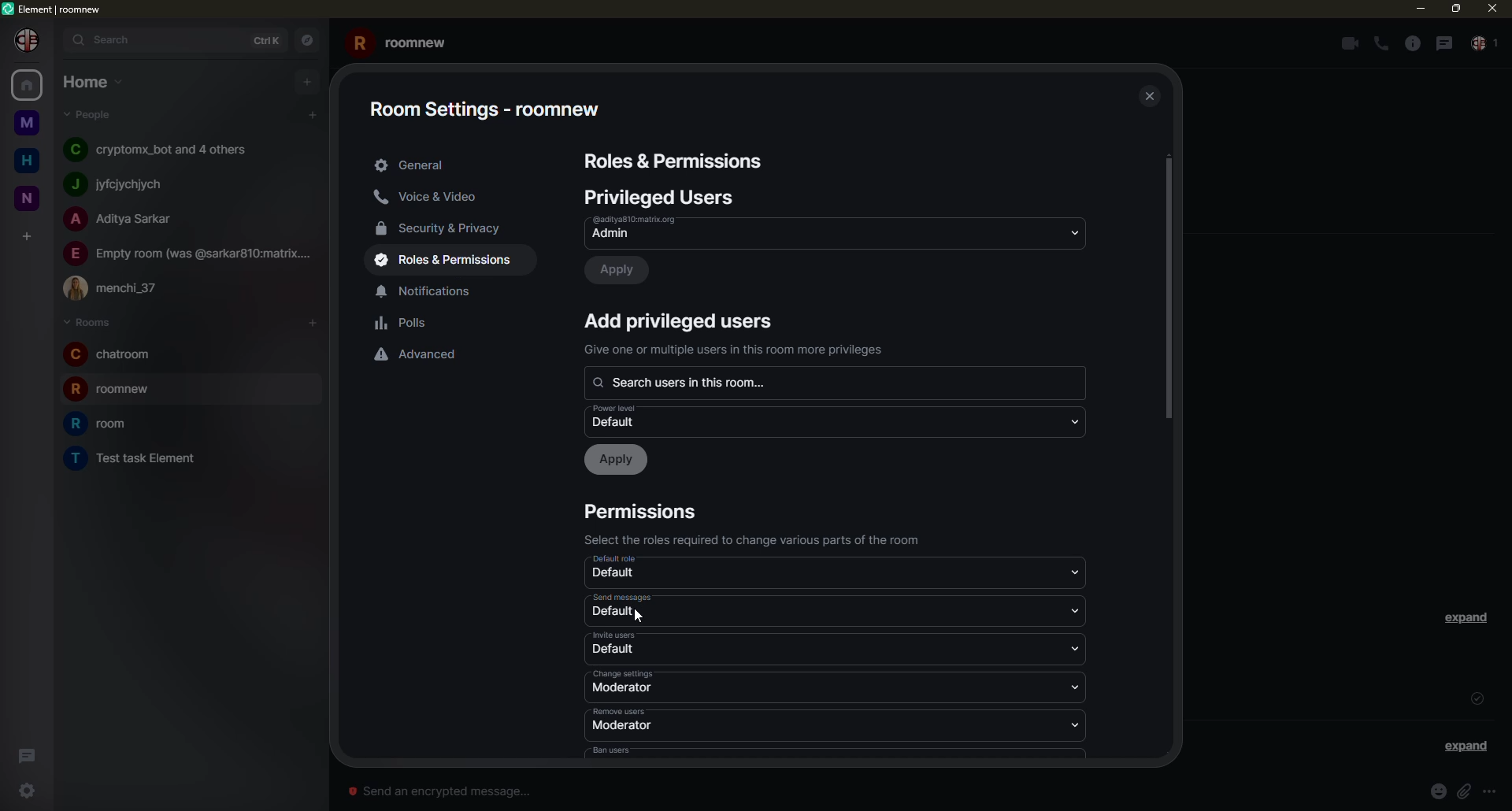 Image resolution: width=1512 pixels, height=811 pixels. Describe the element at coordinates (681, 320) in the screenshot. I see `add` at that location.